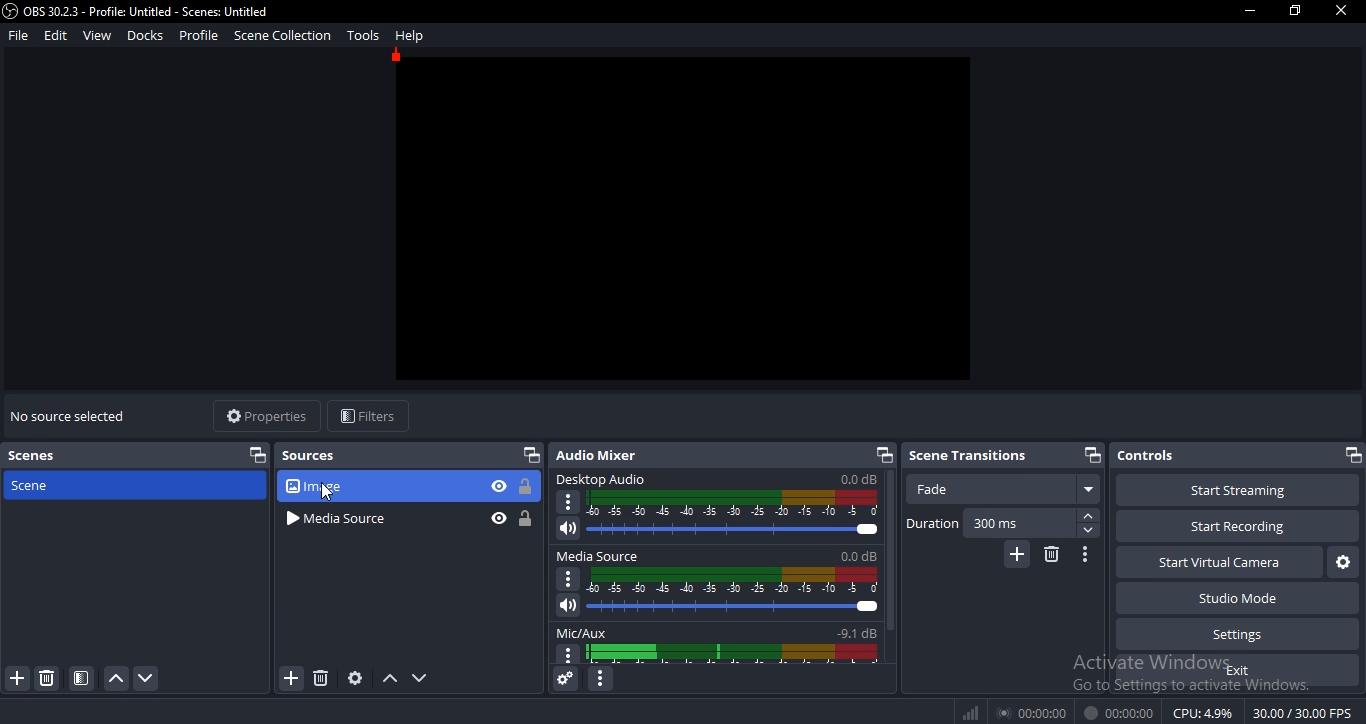 This screenshot has width=1366, height=724. What do you see at coordinates (713, 529) in the screenshot?
I see `volume slider` at bounding box center [713, 529].